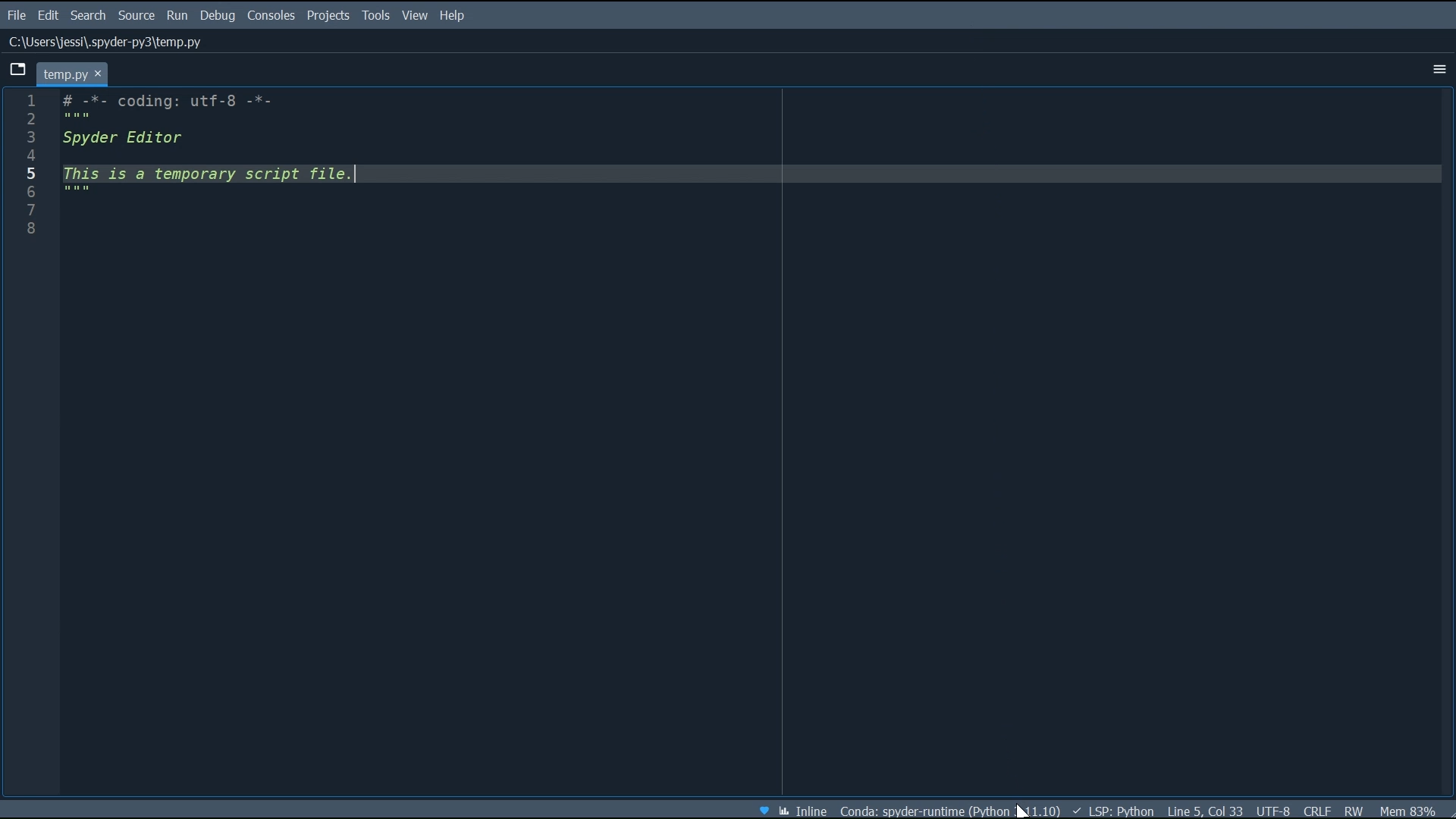 The width and height of the screenshot is (1456, 819). Describe the element at coordinates (454, 16) in the screenshot. I see `Help` at that location.